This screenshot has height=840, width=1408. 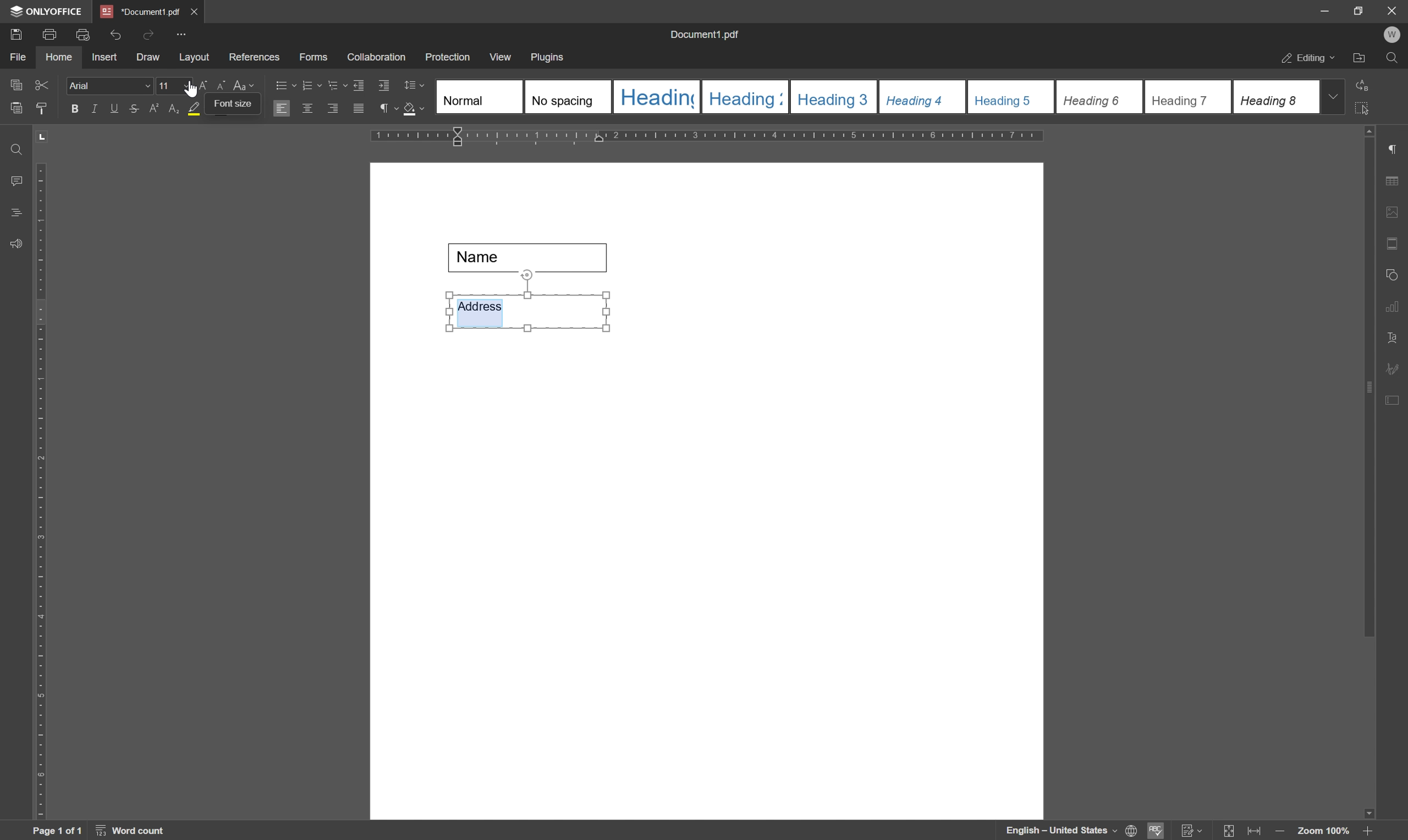 What do you see at coordinates (1370, 380) in the screenshot?
I see `scroll bar` at bounding box center [1370, 380].